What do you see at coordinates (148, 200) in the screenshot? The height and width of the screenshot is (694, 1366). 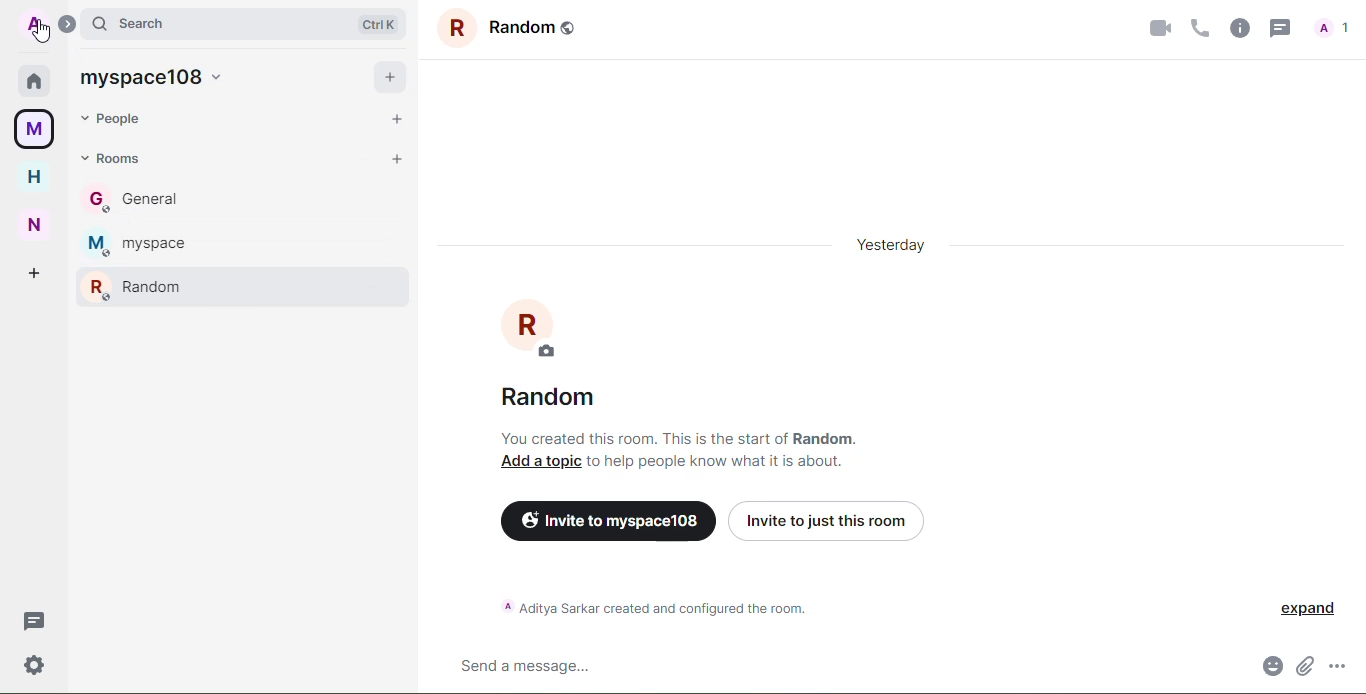 I see `general` at bounding box center [148, 200].